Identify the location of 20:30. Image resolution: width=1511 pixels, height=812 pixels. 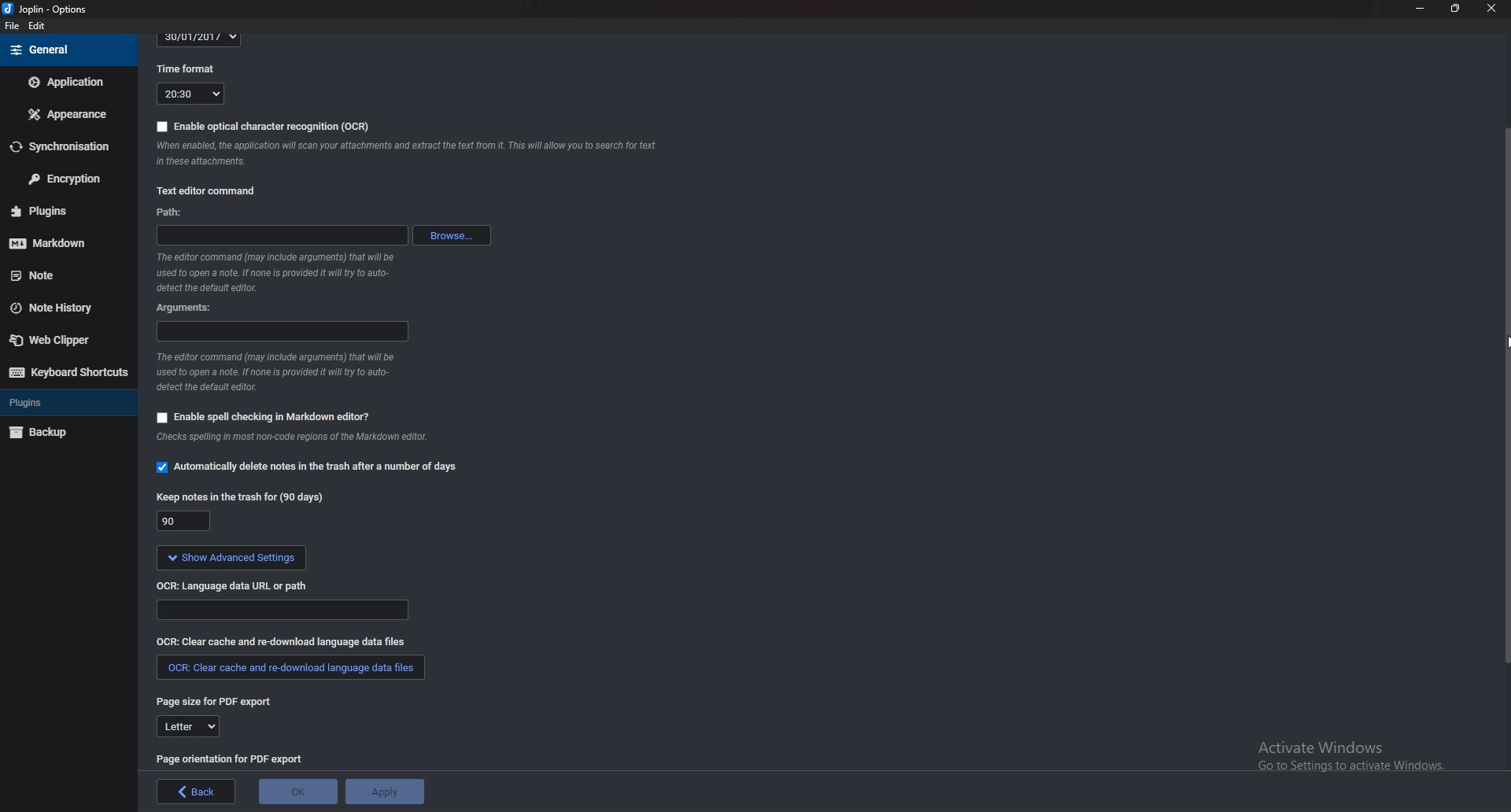
(190, 94).